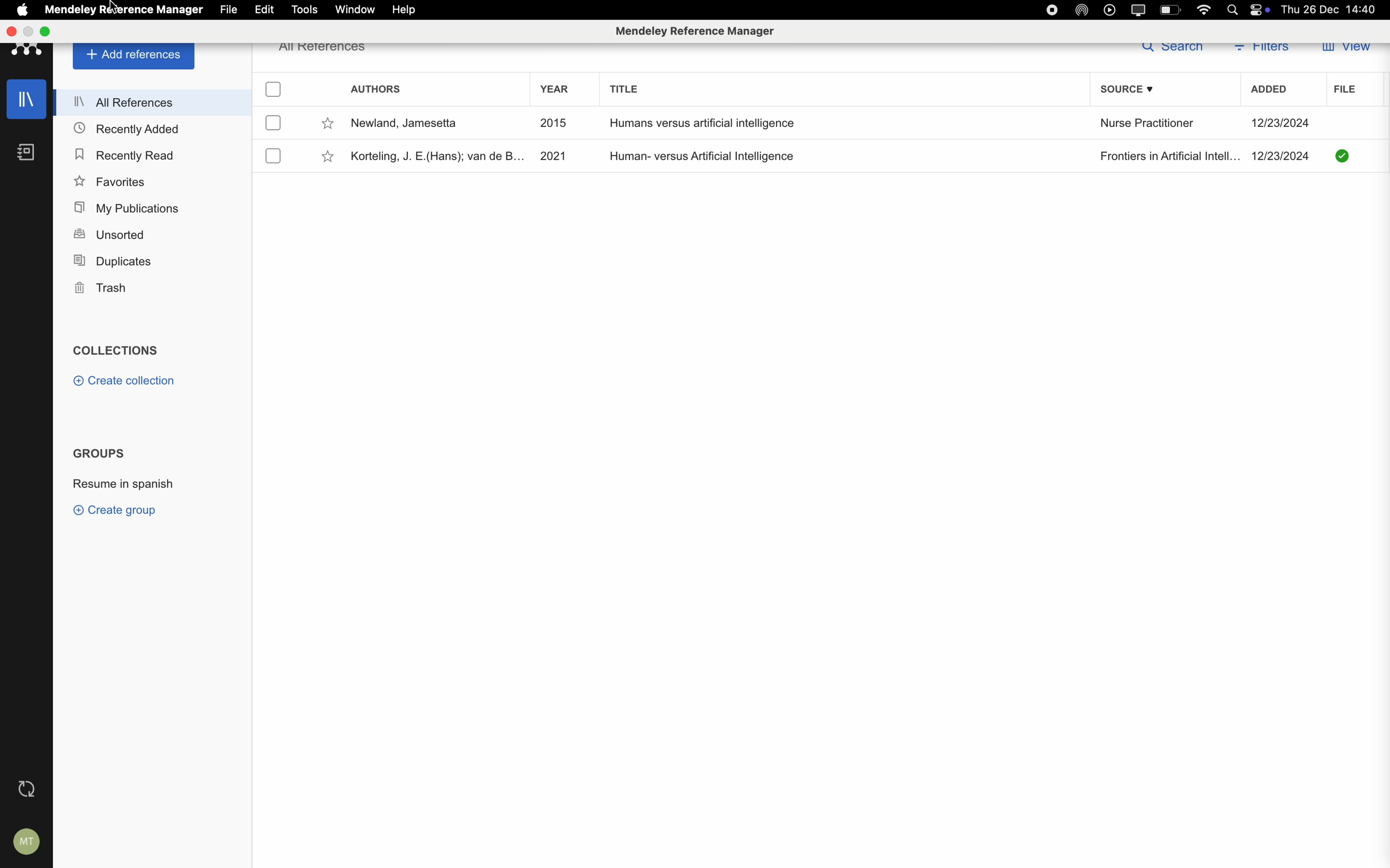 The height and width of the screenshot is (868, 1390). Describe the element at coordinates (1333, 9) in the screenshot. I see `date and hour` at that location.